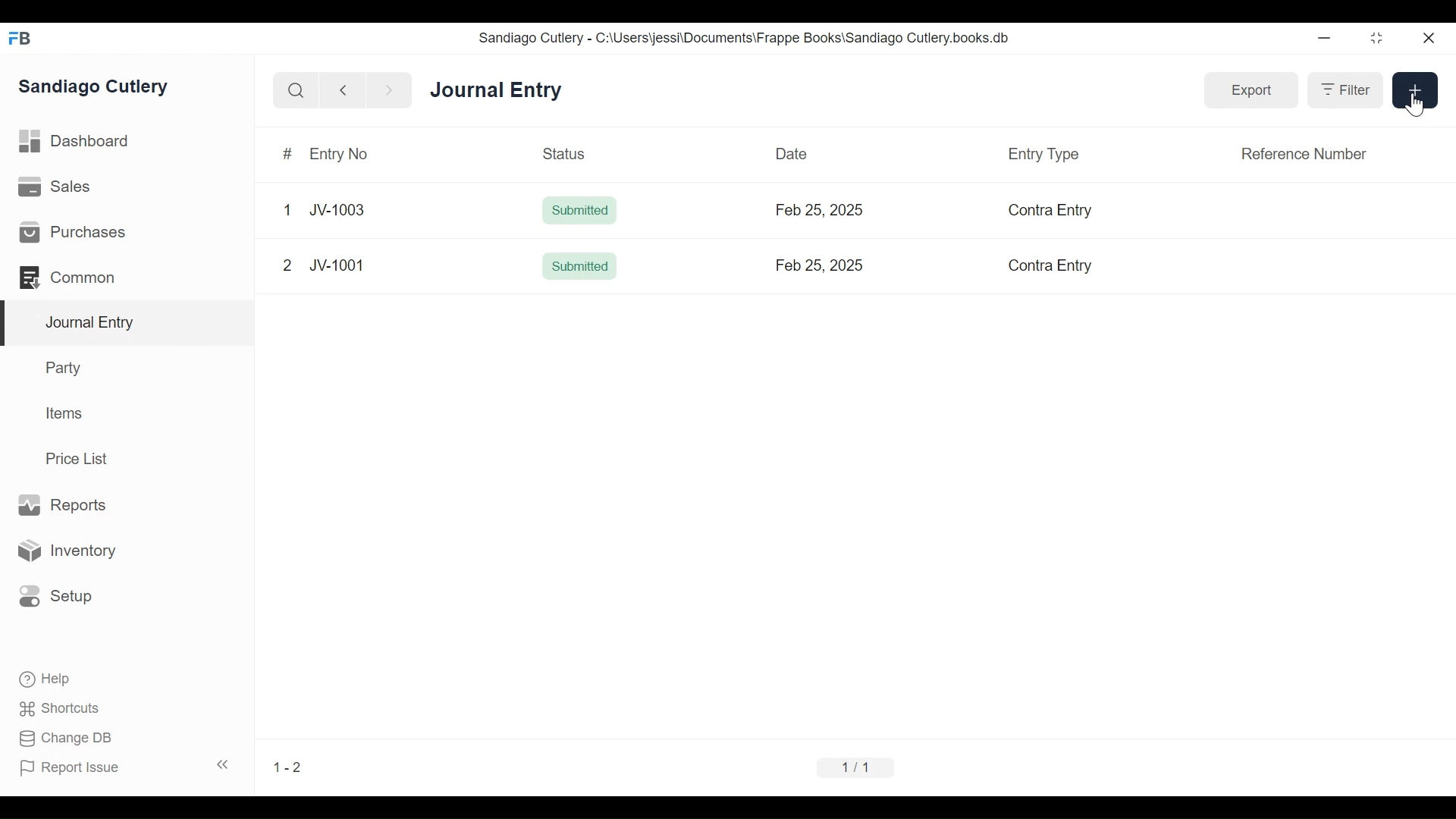 This screenshot has height=819, width=1456. What do you see at coordinates (66, 367) in the screenshot?
I see `Party` at bounding box center [66, 367].